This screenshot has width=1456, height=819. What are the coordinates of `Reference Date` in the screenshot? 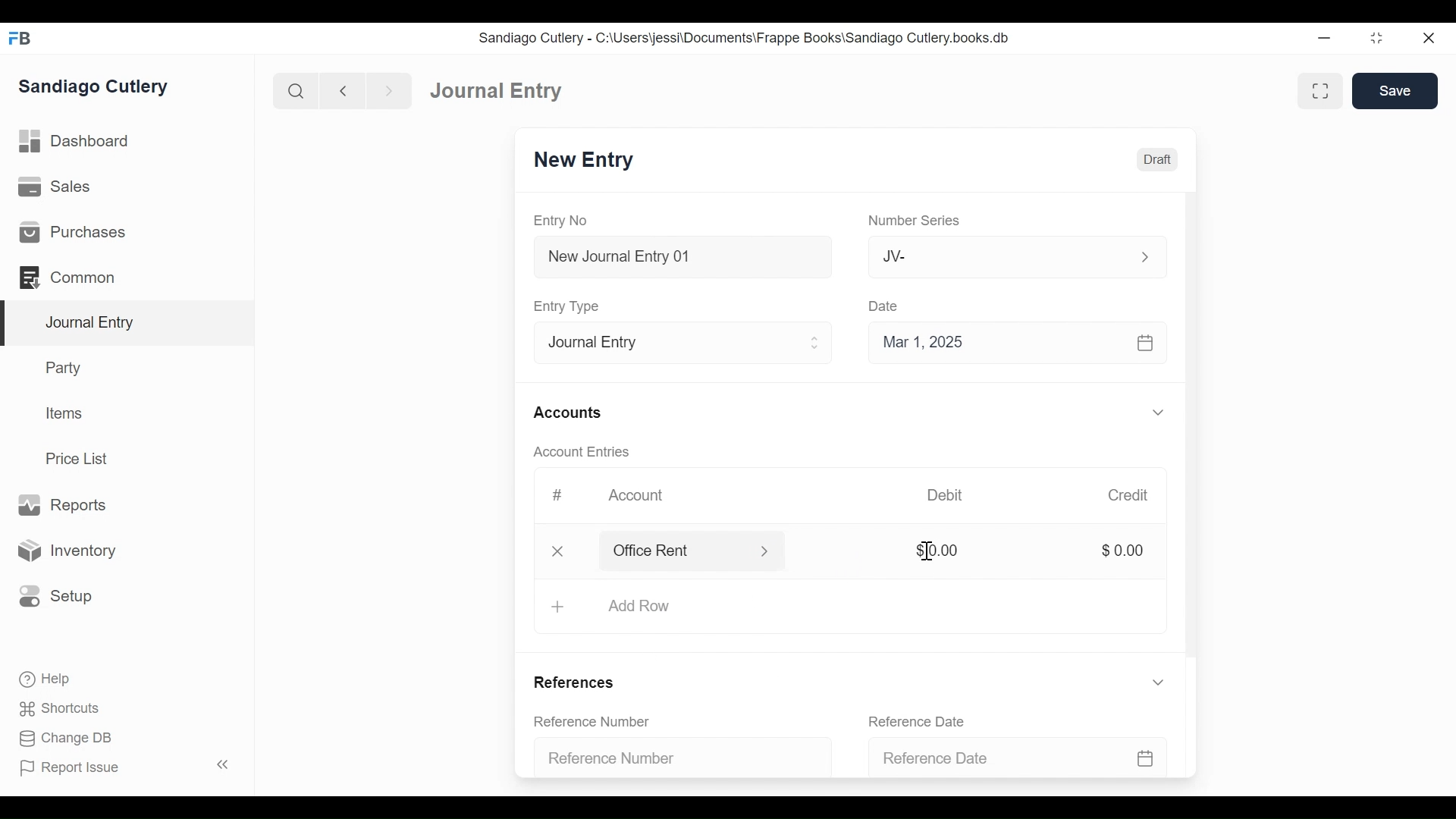 It's located at (1031, 758).